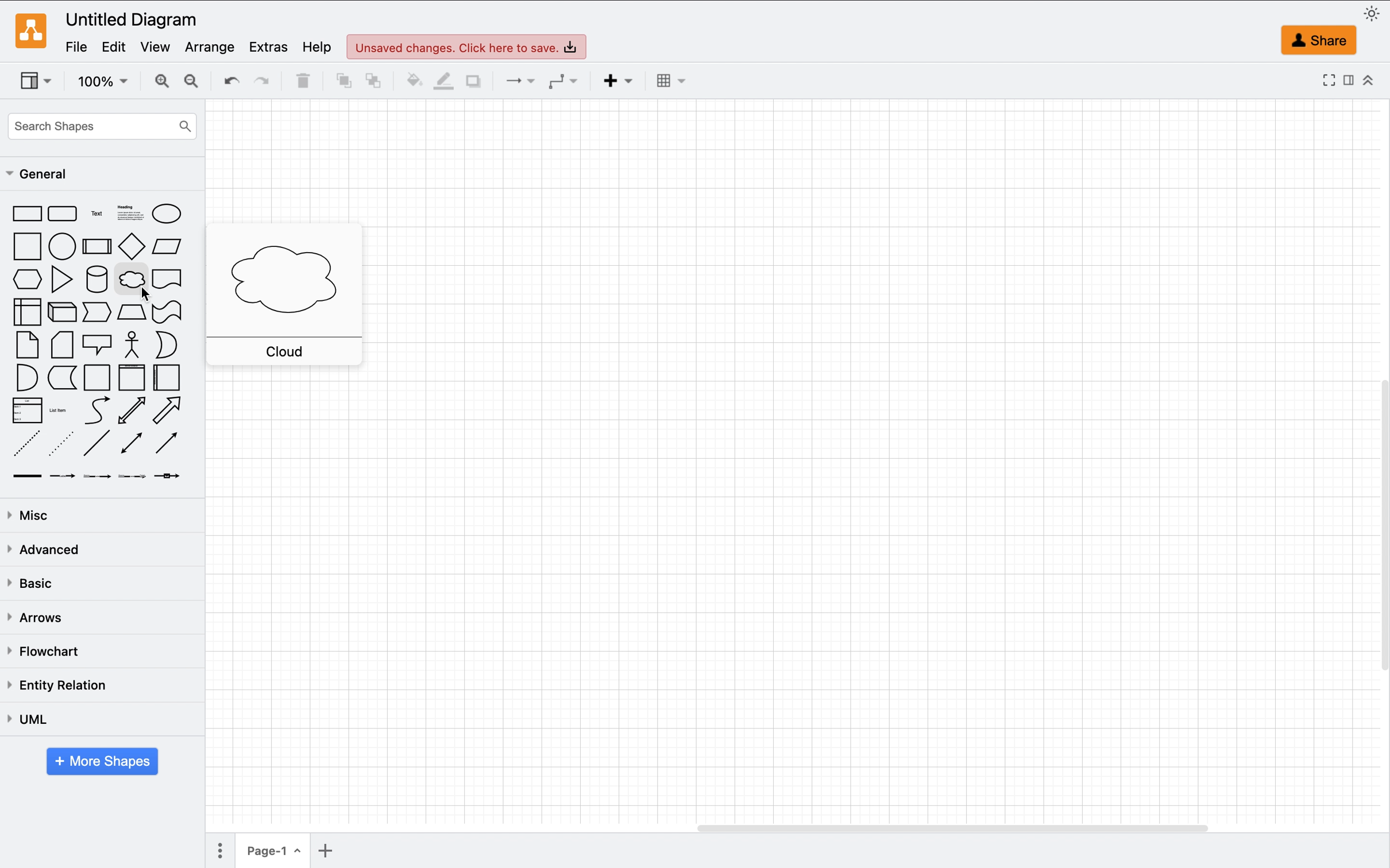  What do you see at coordinates (262, 79) in the screenshot?
I see `redo` at bounding box center [262, 79].